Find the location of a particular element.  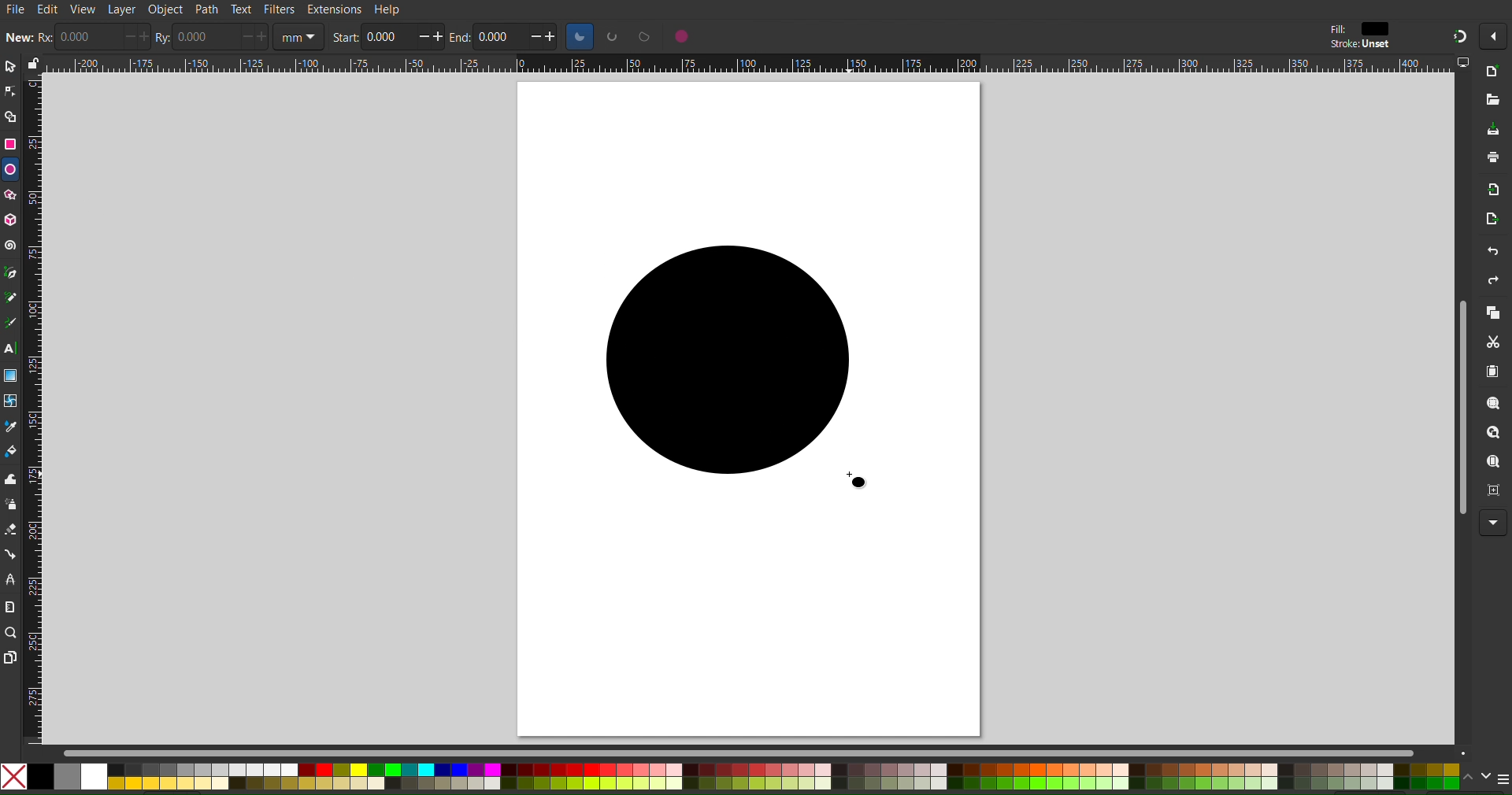

Zoom Selection is located at coordinates (1492, 404).